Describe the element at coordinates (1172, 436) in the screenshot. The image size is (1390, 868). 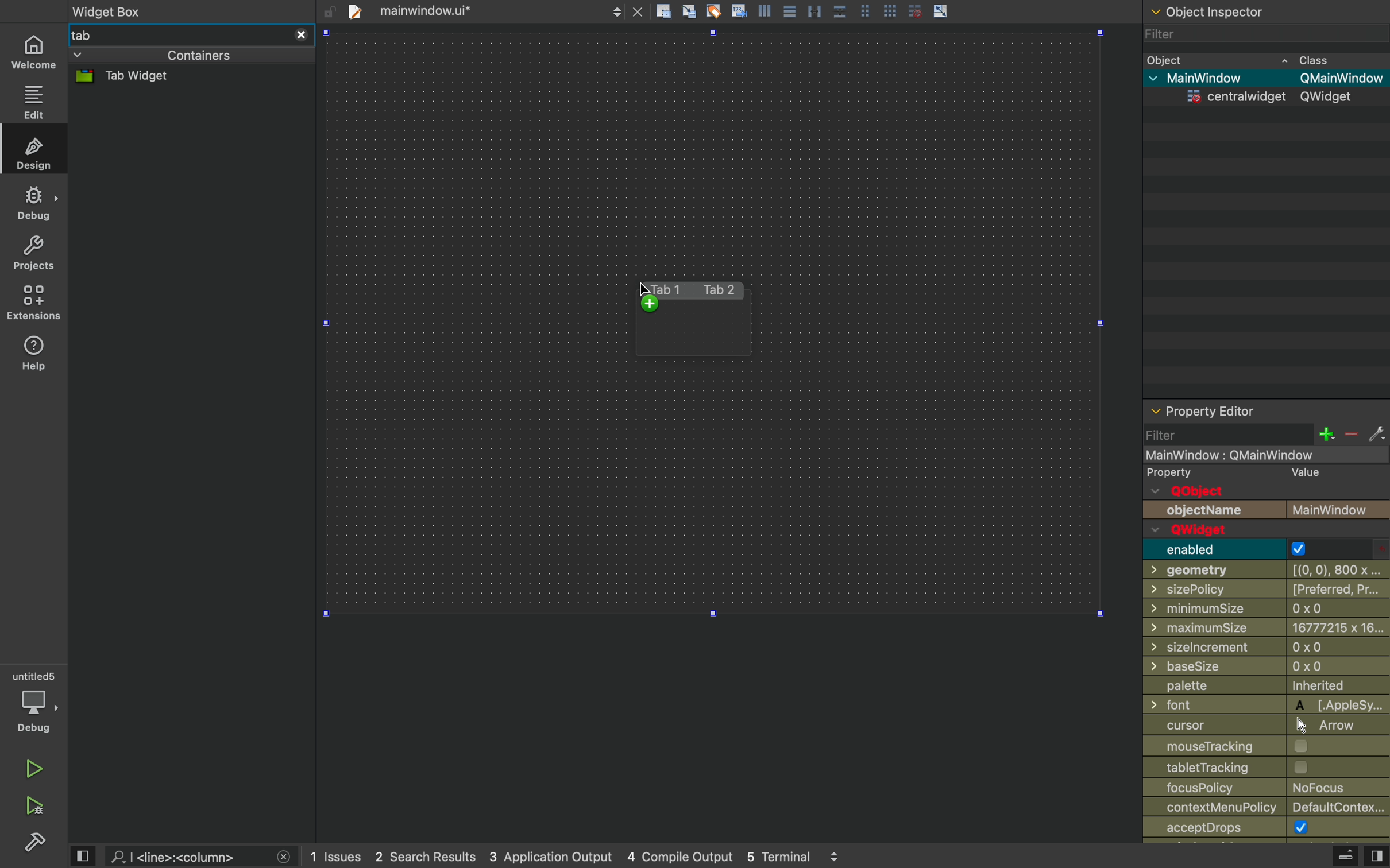
I see `filter` at that location.